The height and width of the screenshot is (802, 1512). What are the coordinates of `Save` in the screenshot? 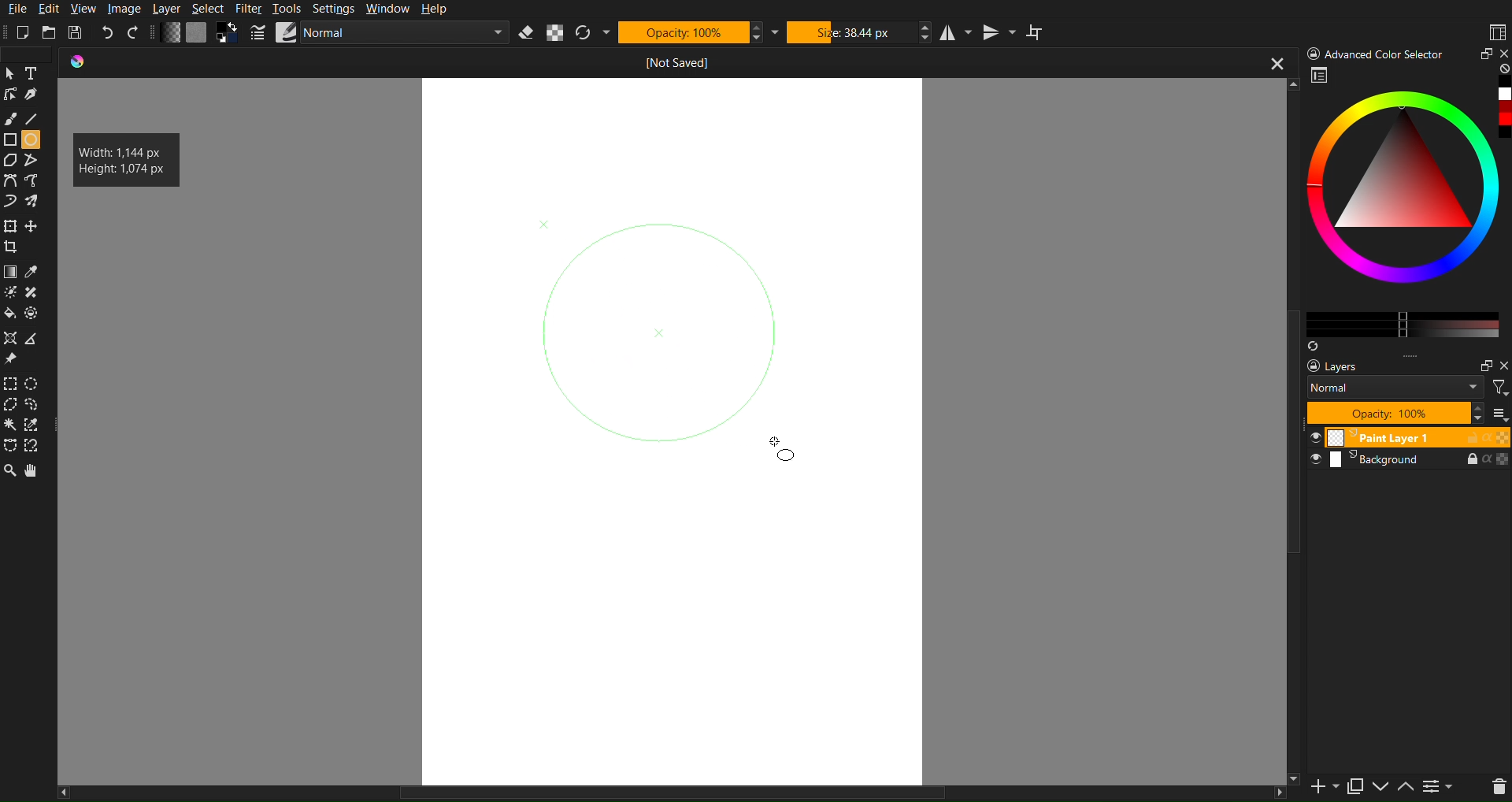 It's located at (80, 33).